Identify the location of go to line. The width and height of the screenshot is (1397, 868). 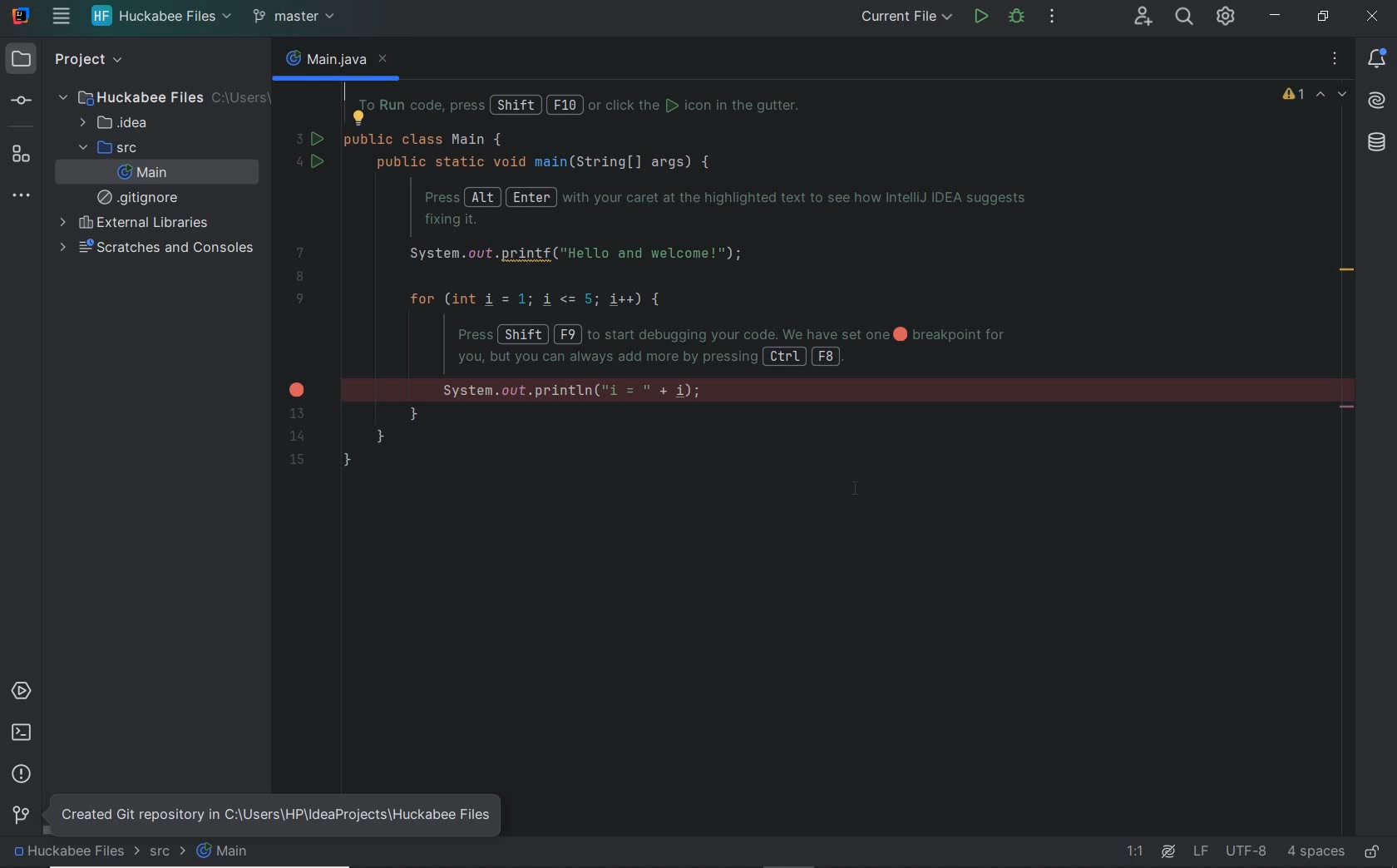
(1138, 852).